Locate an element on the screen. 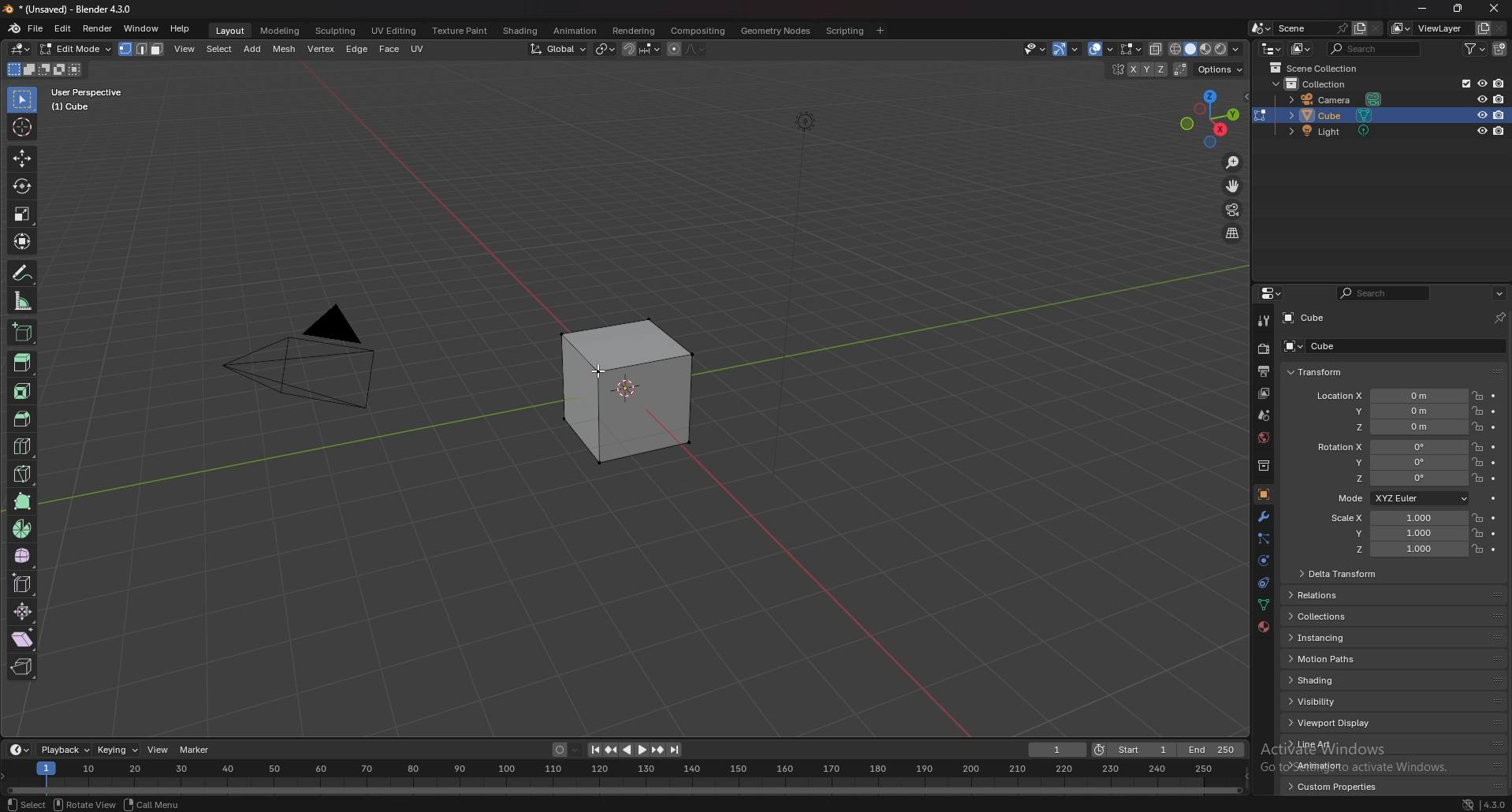 This screenshot has width=1512, height=812. hide in viewport is located at coordinates (1482, 99).